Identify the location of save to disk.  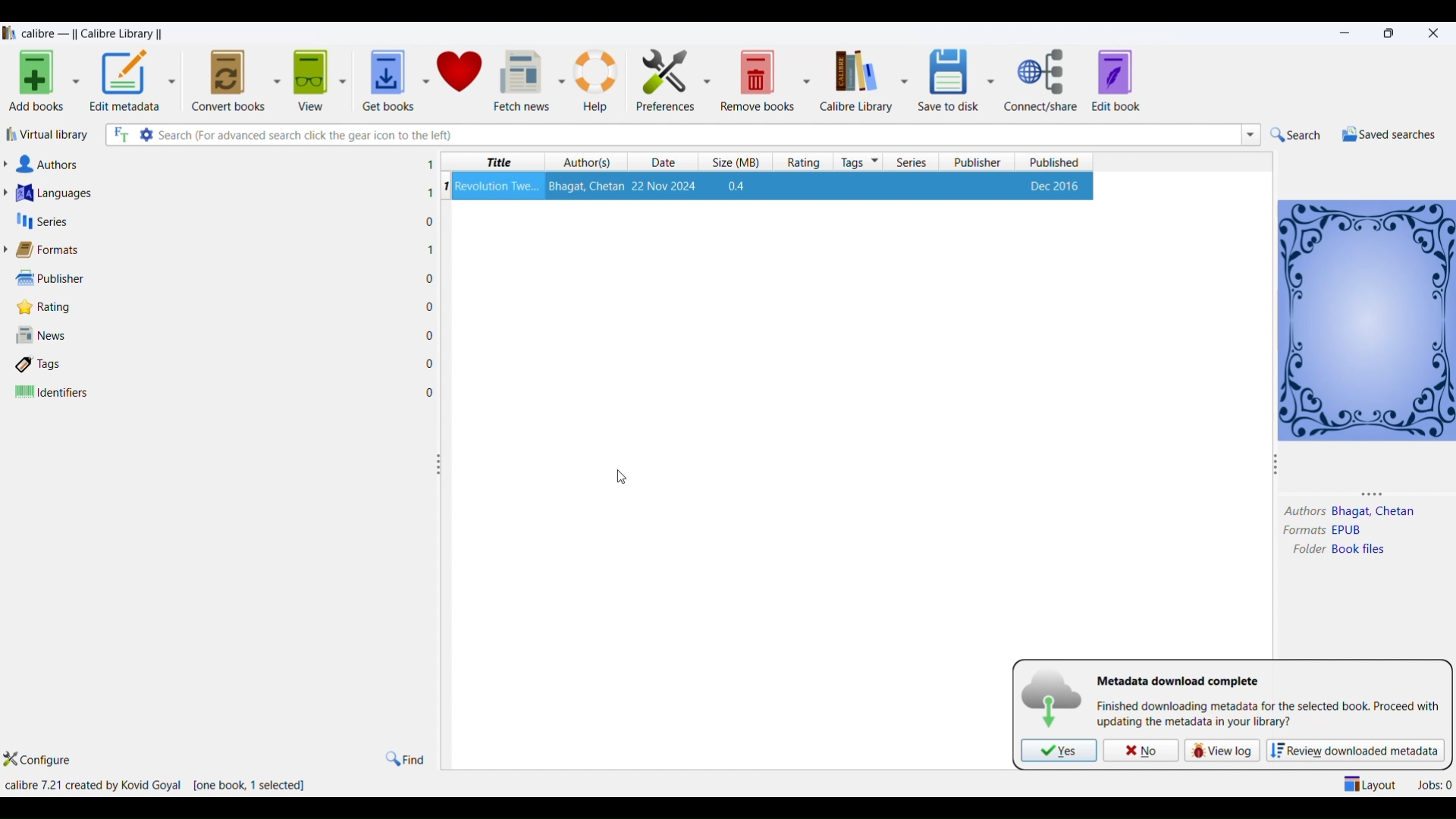
(946, 76).